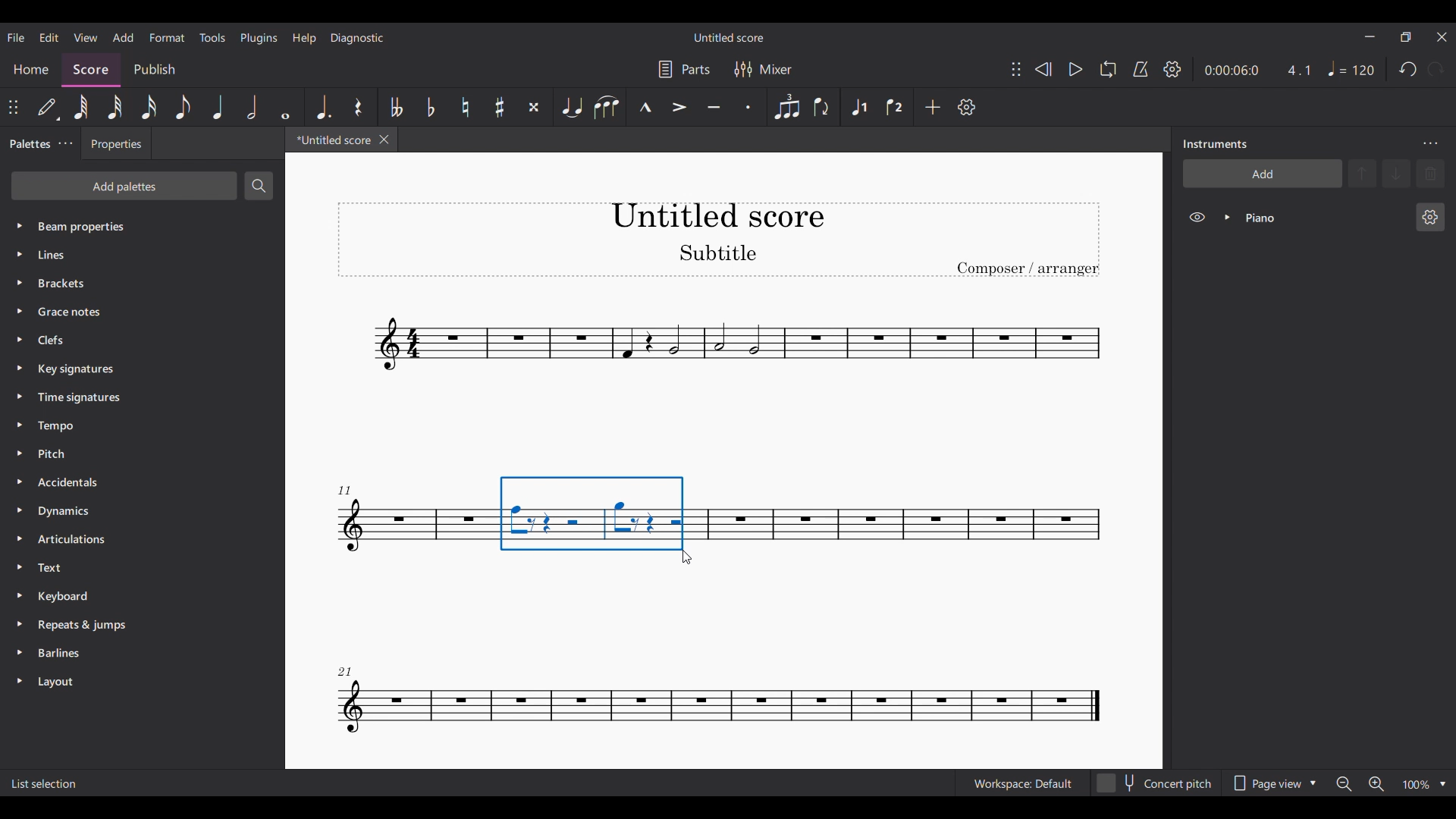  Describe the element at coordinates (1376, 784) in the screenshot. I see `Zoom in` at that location.